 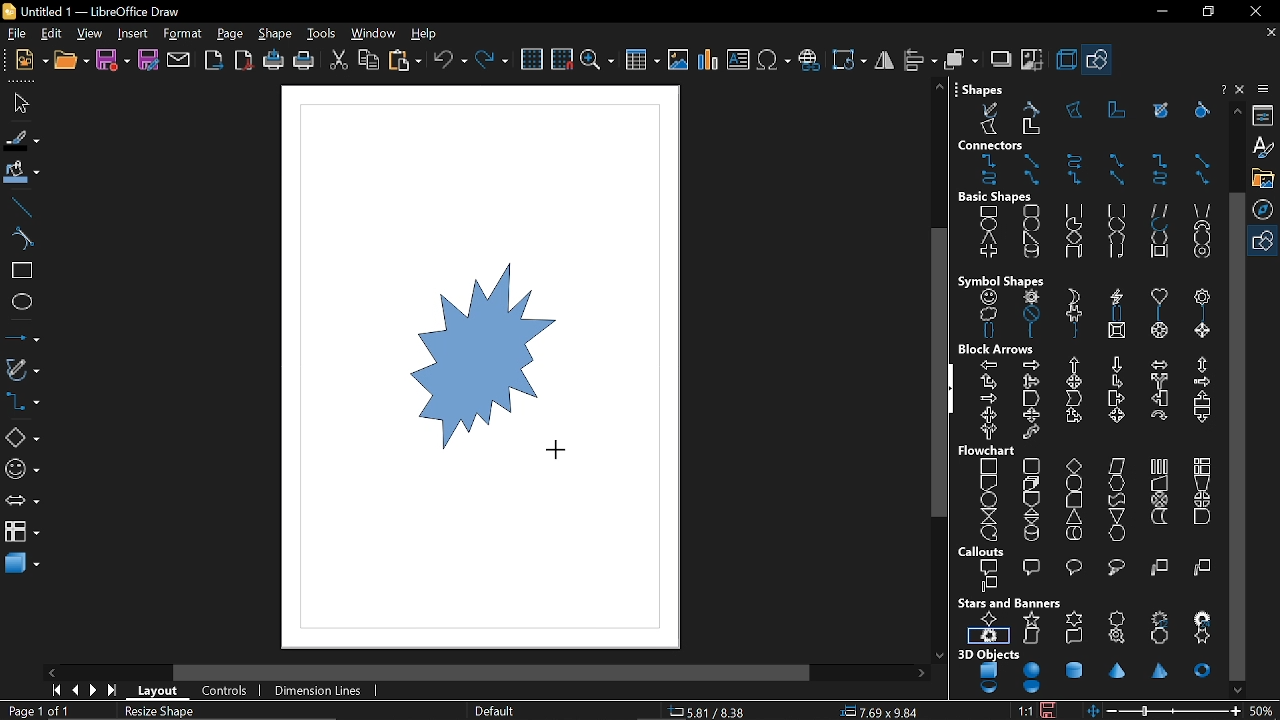 What do you see at coordinates (322, 690) in the screenshot?
I see `dimension lines` at bounding box center [322, 690].